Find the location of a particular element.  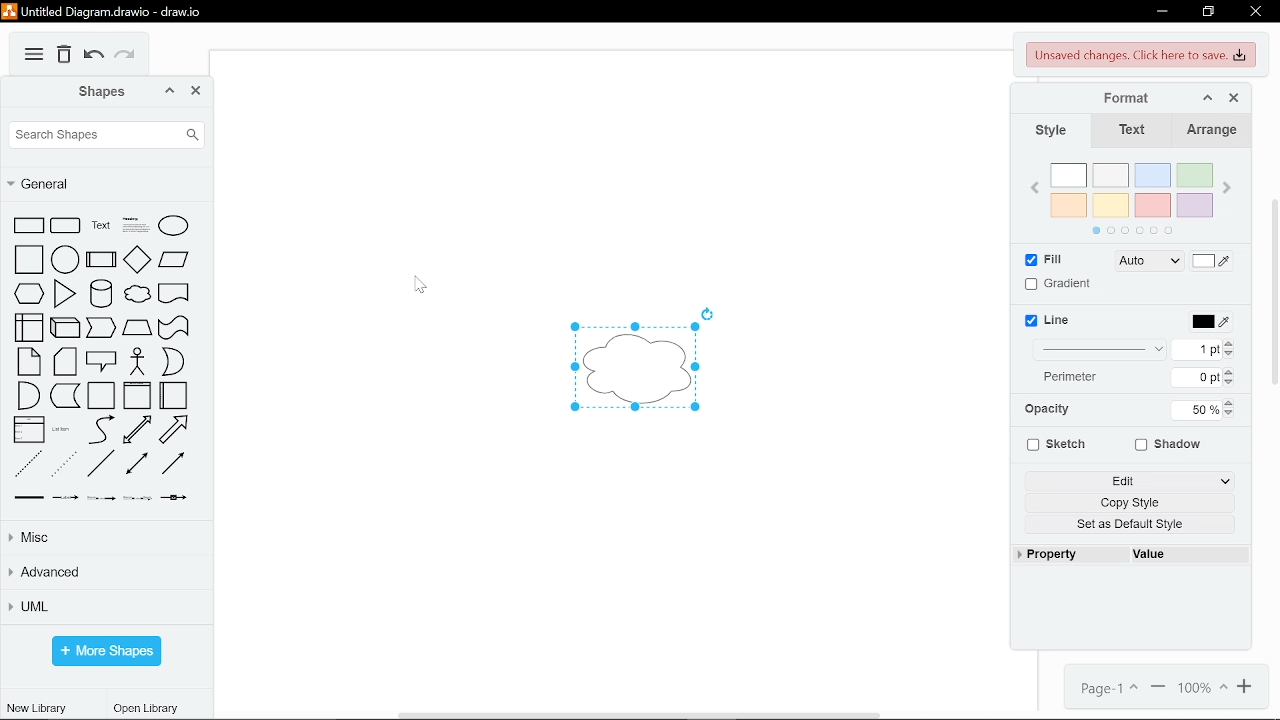

fill style is located at coordinates (1150, 262).